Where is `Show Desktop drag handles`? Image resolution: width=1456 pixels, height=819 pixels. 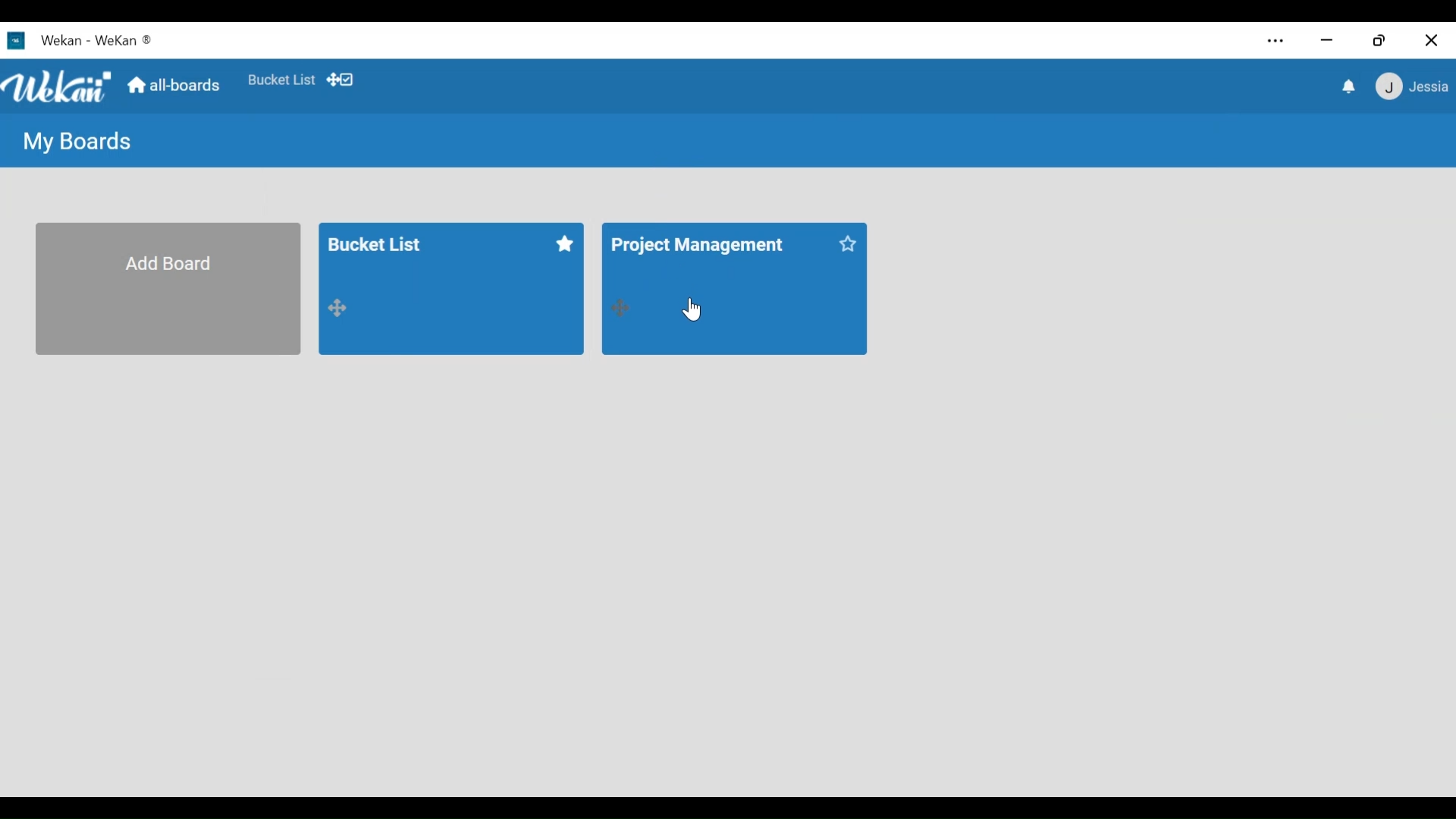
Show Desktop drag handles is located at coordinates (342, 80).